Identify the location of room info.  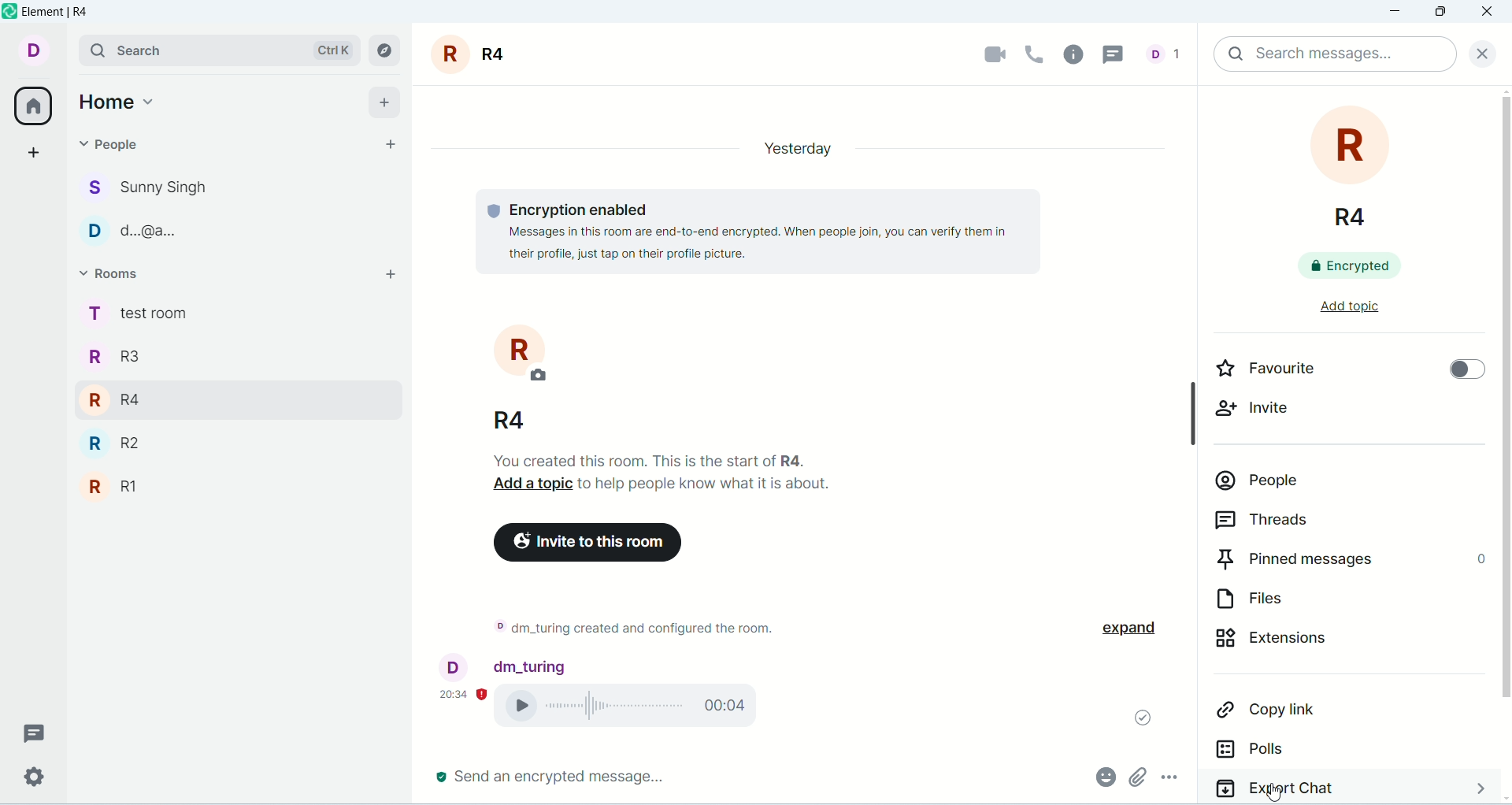
(1078, 54).